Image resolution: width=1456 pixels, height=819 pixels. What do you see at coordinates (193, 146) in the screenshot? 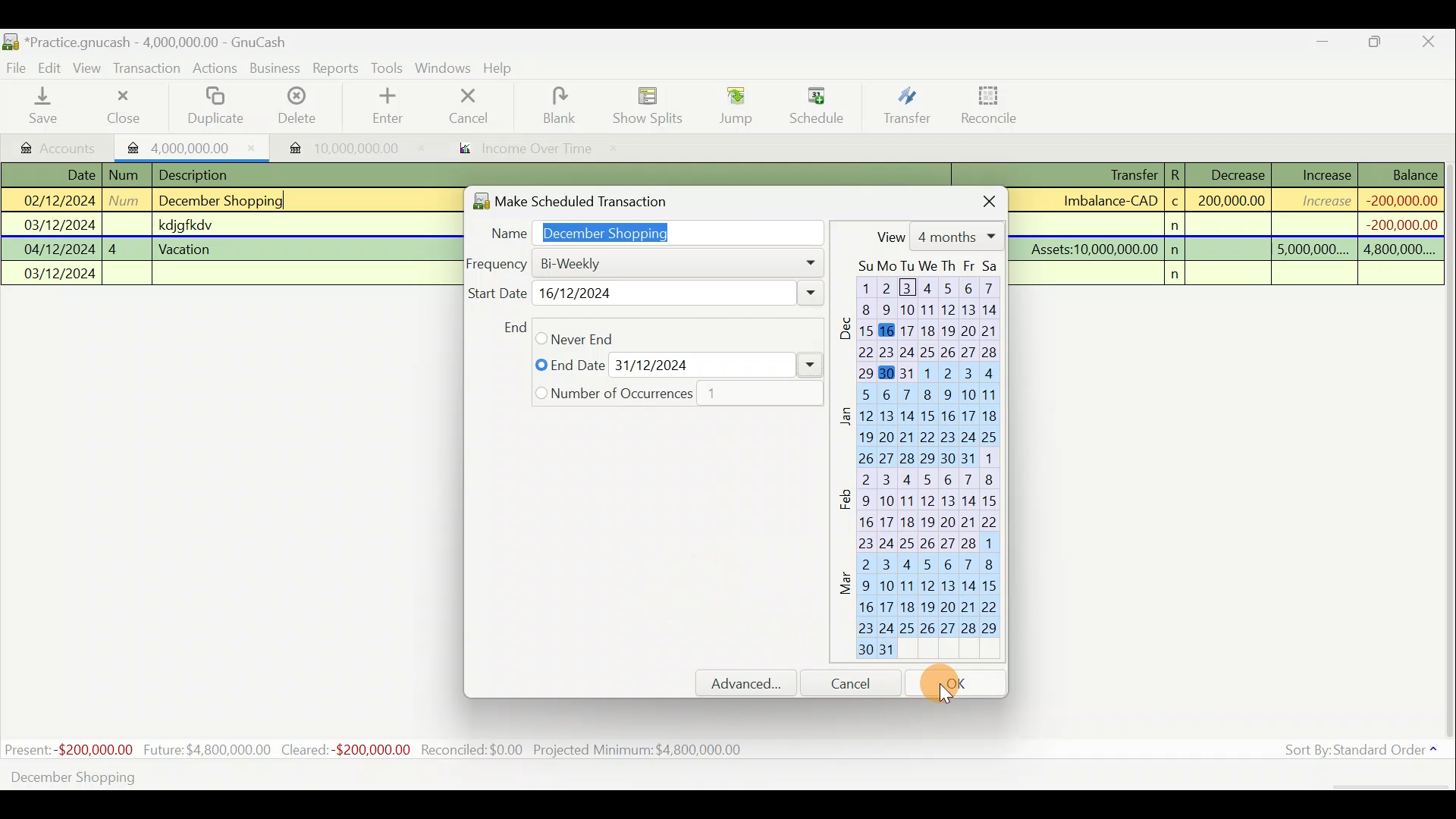
I see `Imported transaction 1` at bounding box center [193, 146].